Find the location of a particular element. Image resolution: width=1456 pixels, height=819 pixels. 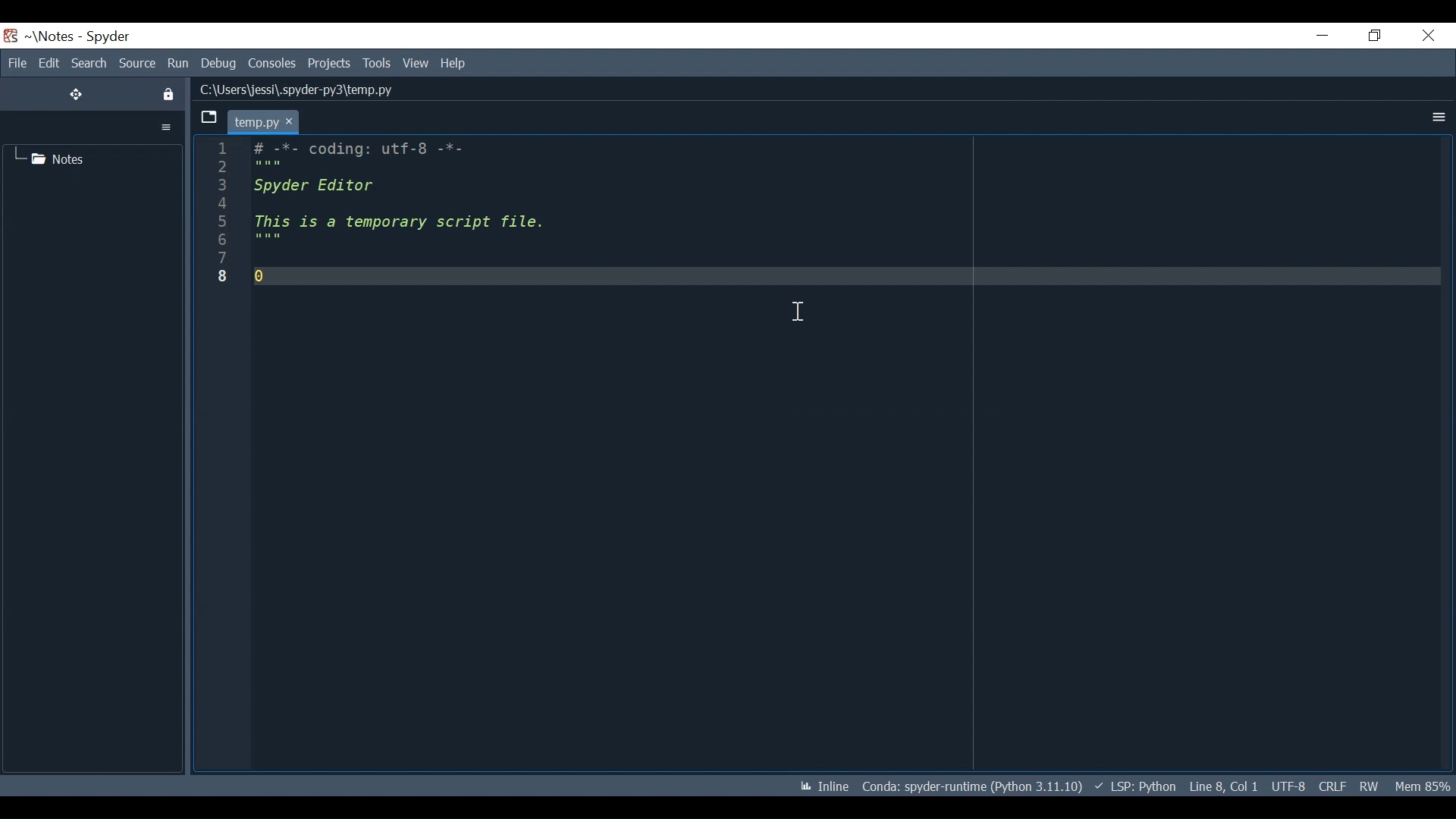

Source is located at coordinates (137, 64).